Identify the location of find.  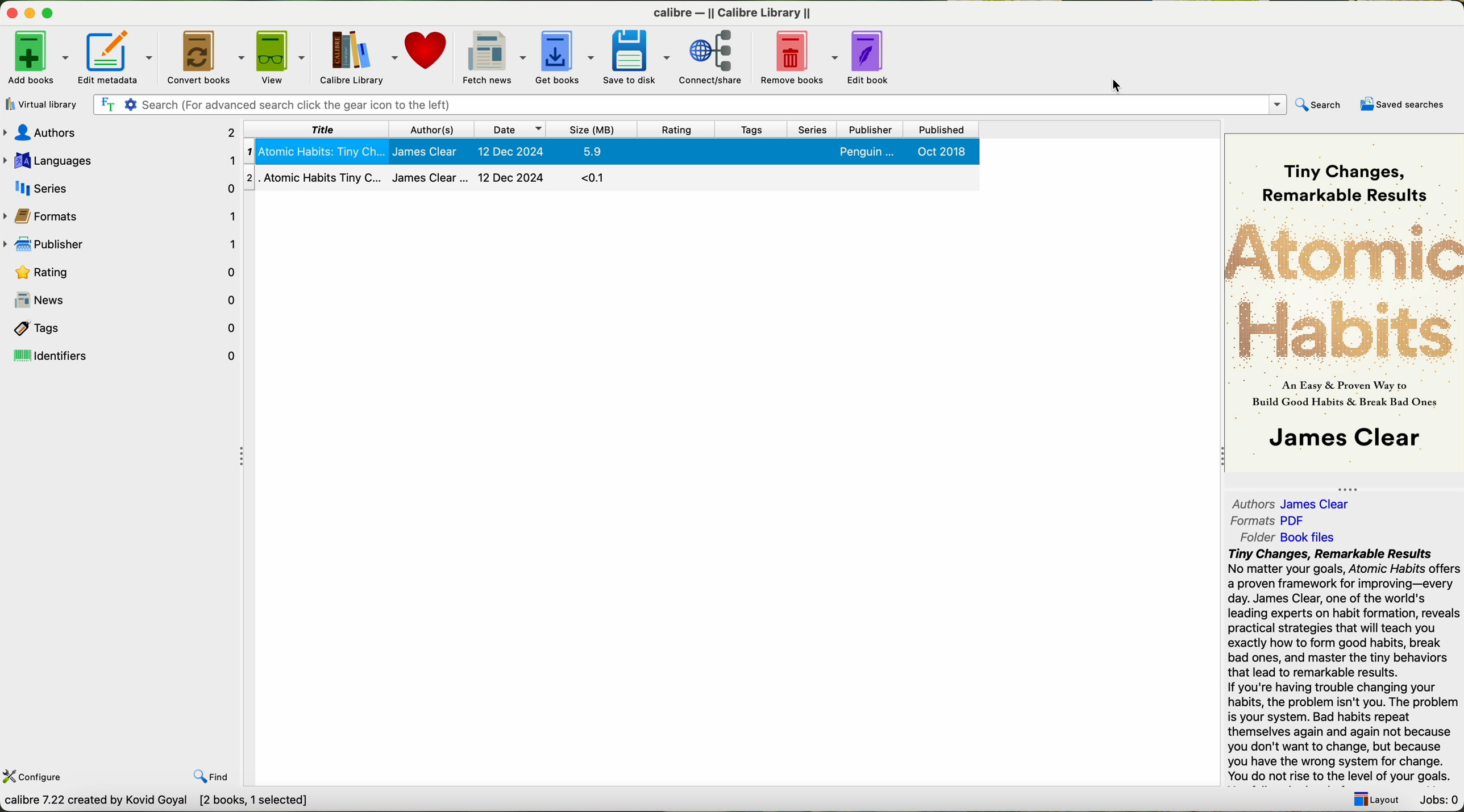
(216, 777).